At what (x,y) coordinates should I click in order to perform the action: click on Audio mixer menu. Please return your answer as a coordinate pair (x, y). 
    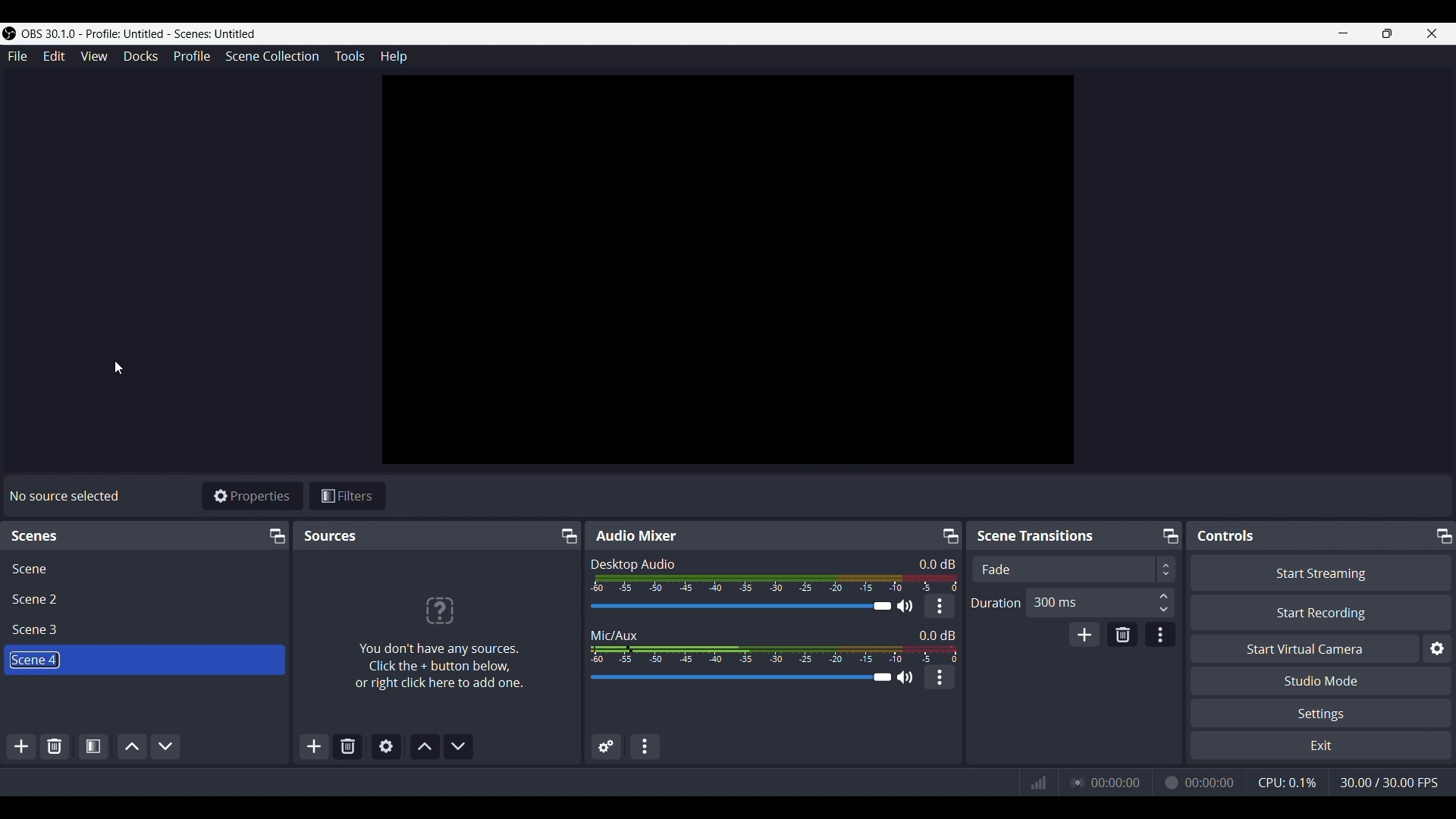
    Looking at the image, I should click on (646, 746).